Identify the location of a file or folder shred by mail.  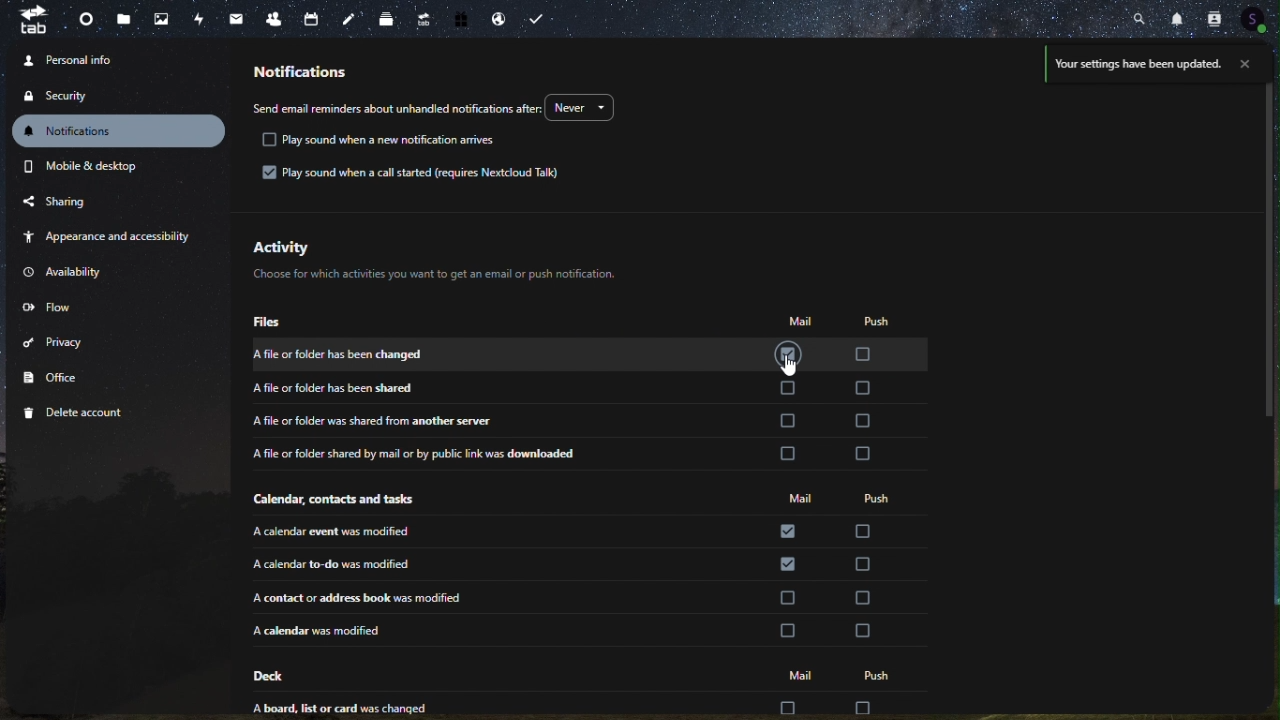
(421, 453).